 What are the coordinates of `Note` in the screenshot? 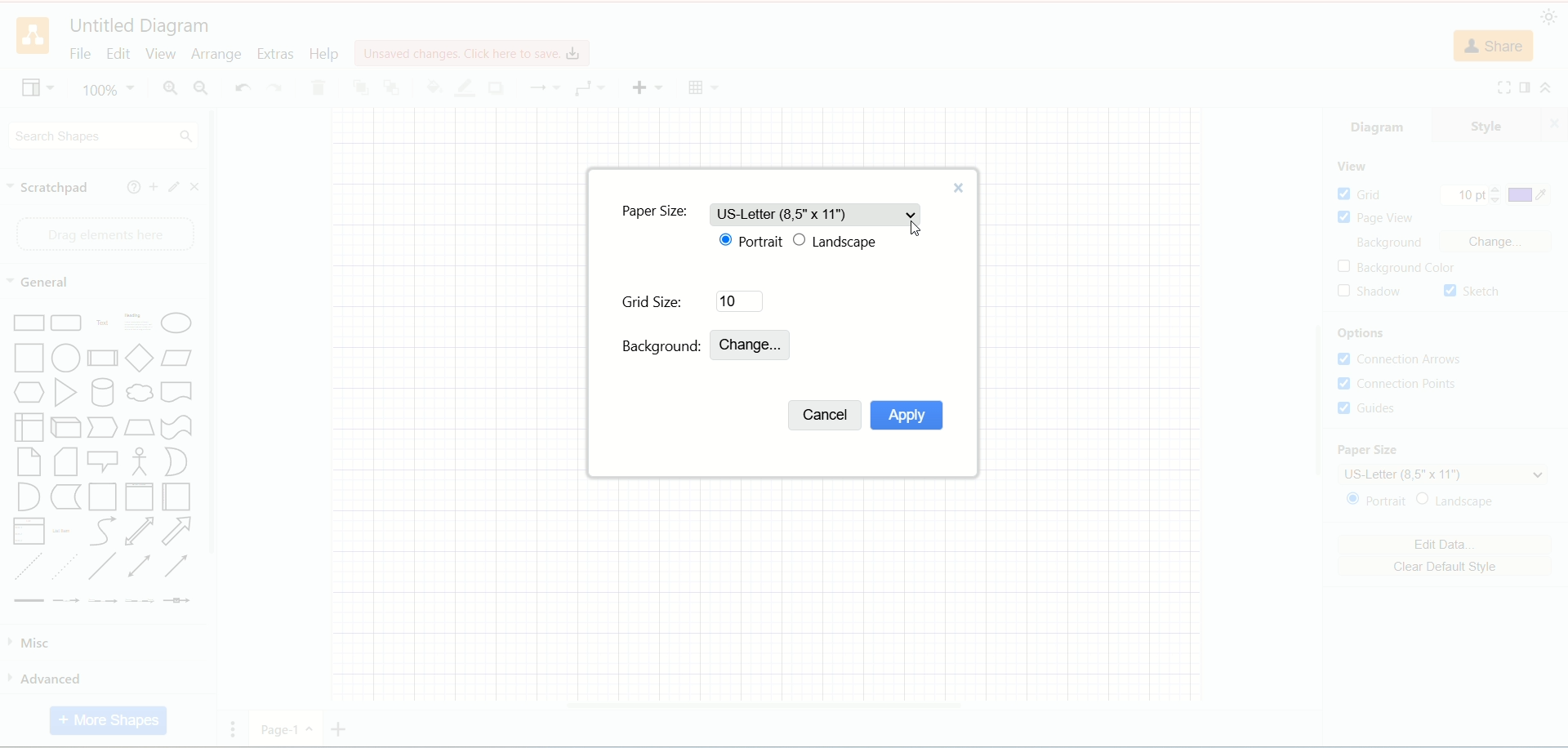 It's located at (29, 463).